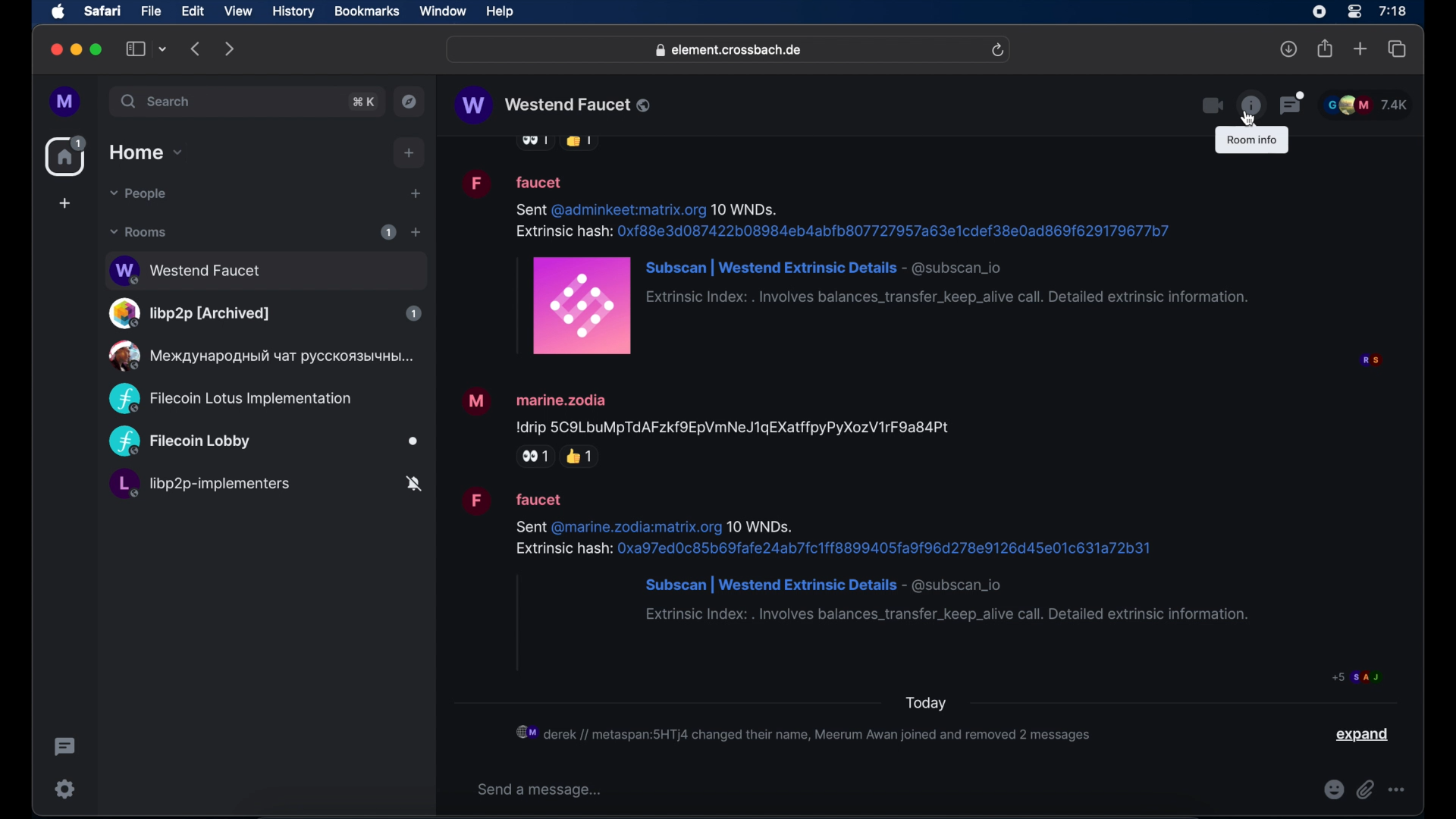 The height and width of the screenshot is (819, 1456). Describe the element at coordinates (140, 194) in the screenshot. I see `` at that location.